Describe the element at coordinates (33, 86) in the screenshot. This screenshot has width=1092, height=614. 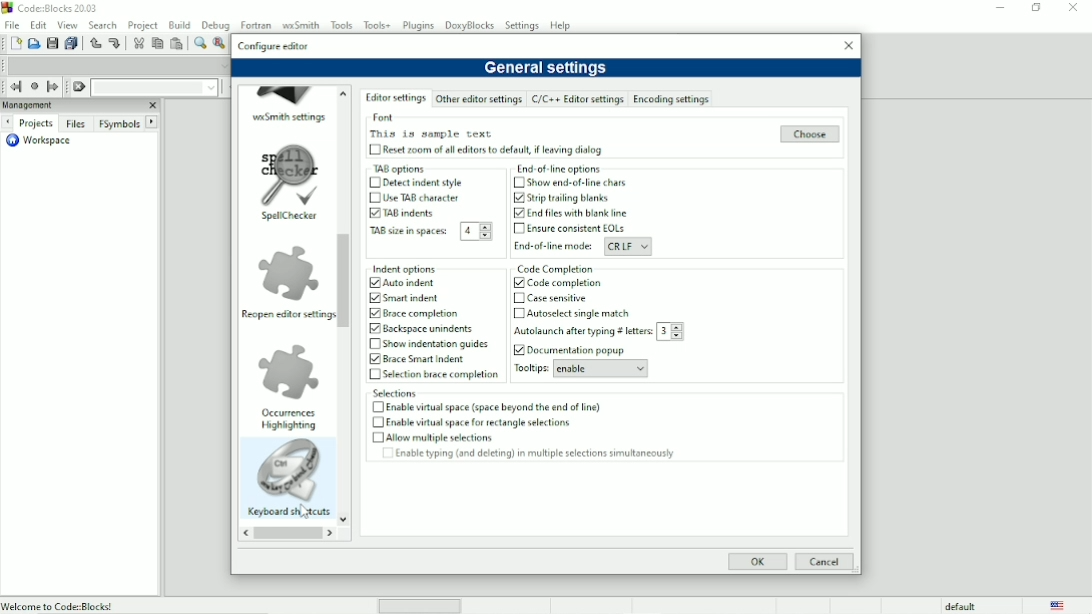
I see `Last jump` at that location.